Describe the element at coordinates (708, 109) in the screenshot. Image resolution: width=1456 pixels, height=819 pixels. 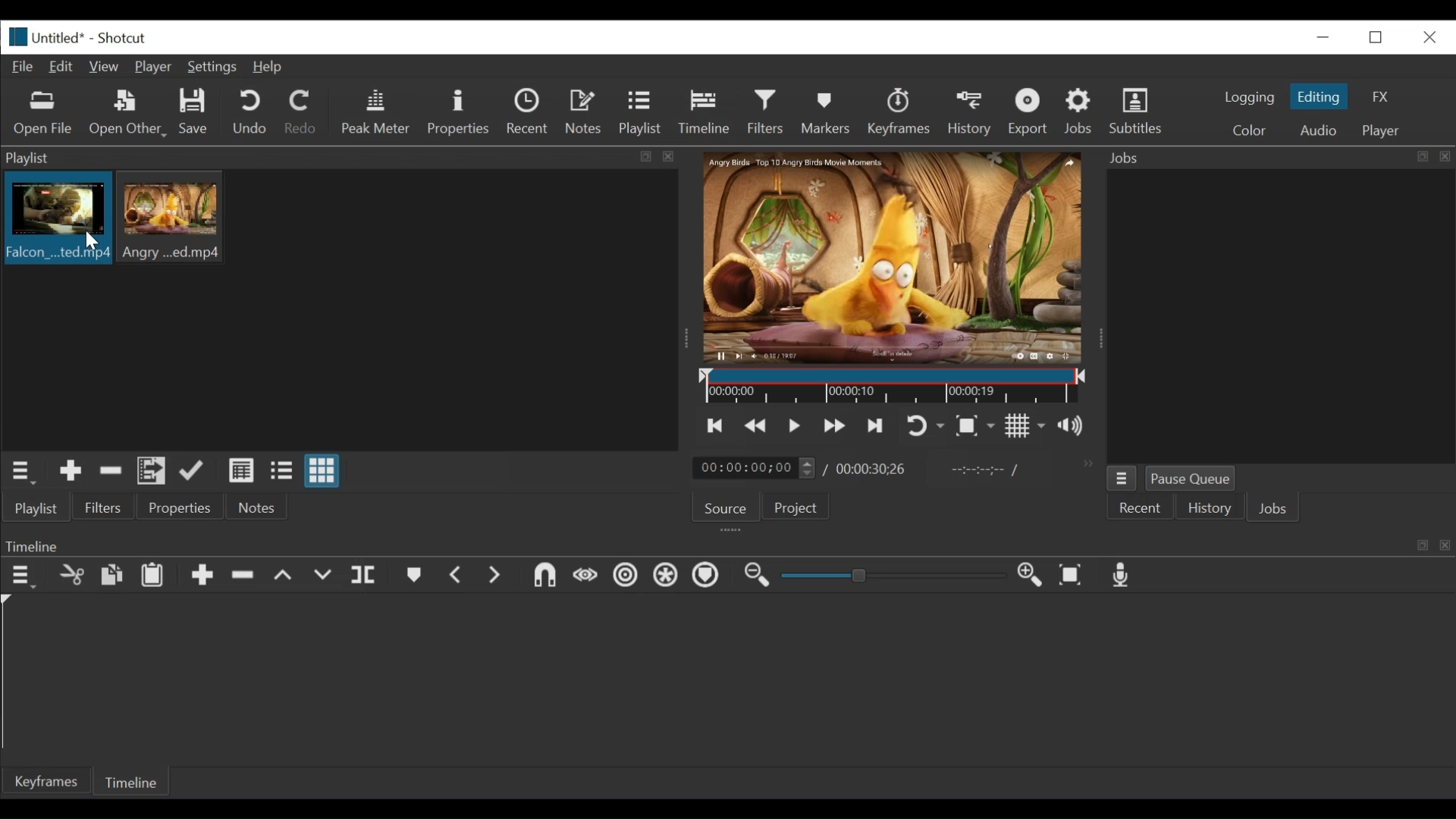
I see `Timeline` at that location.